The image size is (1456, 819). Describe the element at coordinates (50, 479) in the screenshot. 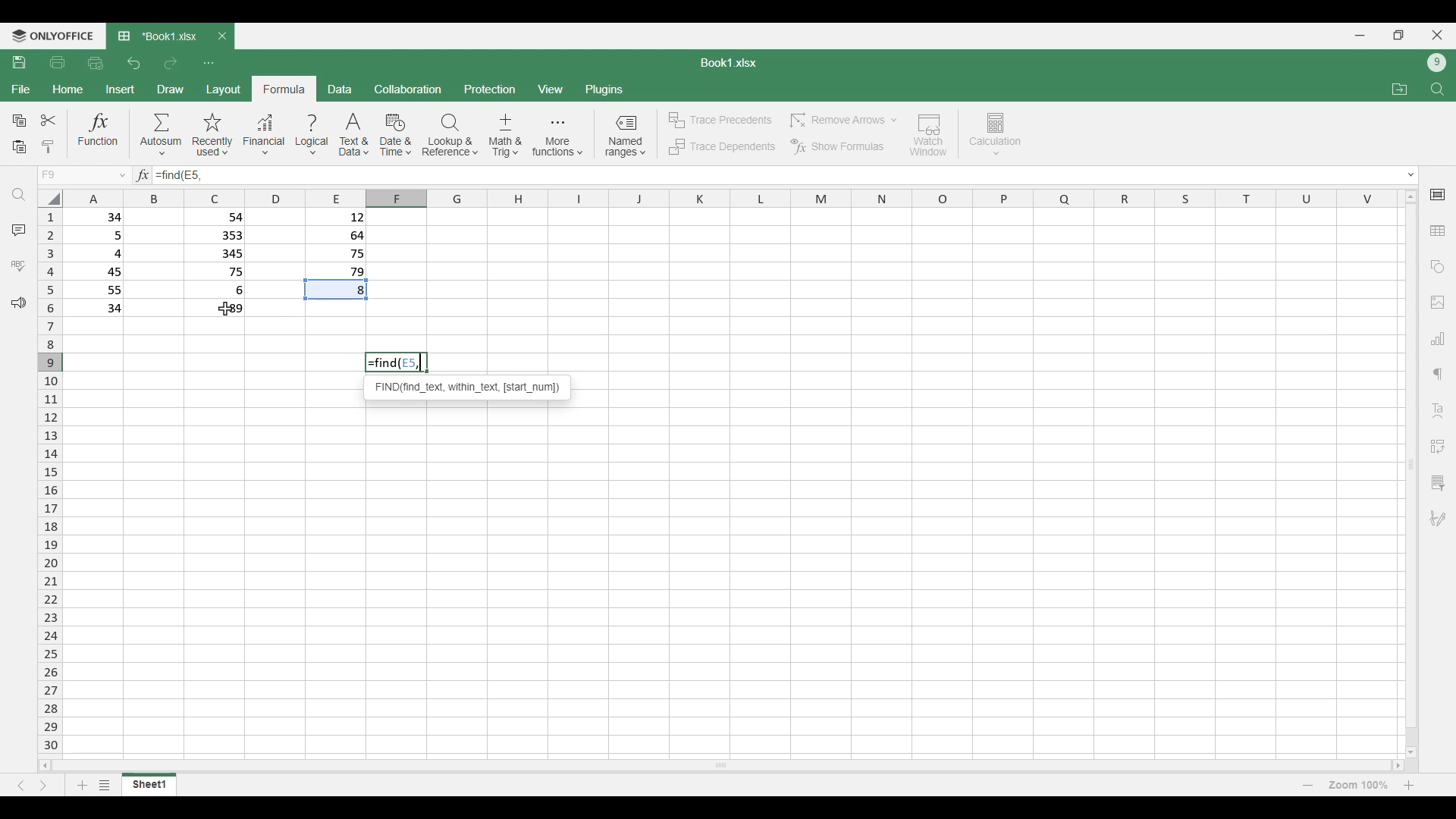

I see `Indicates rows` at that location.